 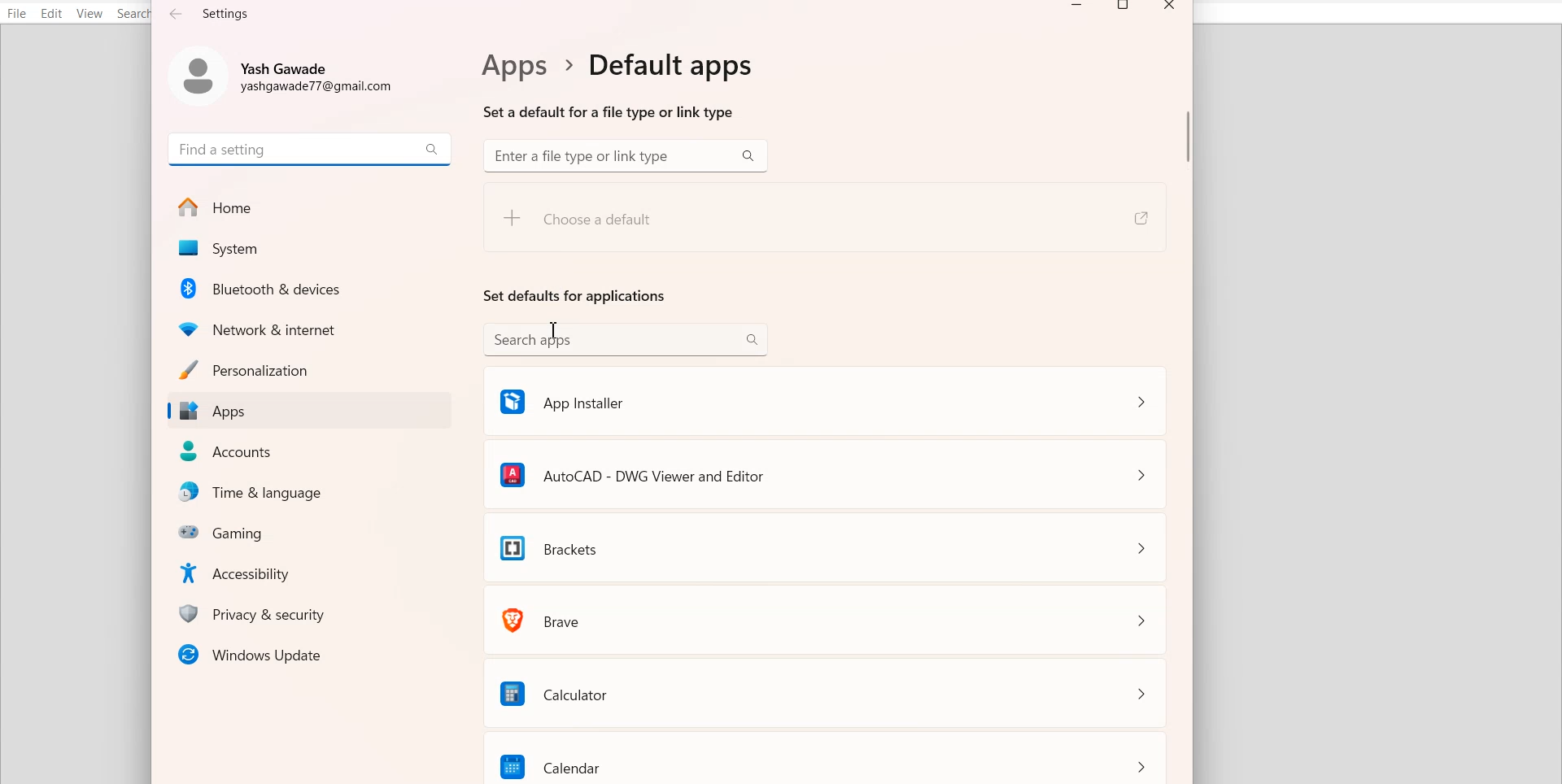 I want to click on Time & Language, so click(x=314, y=493).